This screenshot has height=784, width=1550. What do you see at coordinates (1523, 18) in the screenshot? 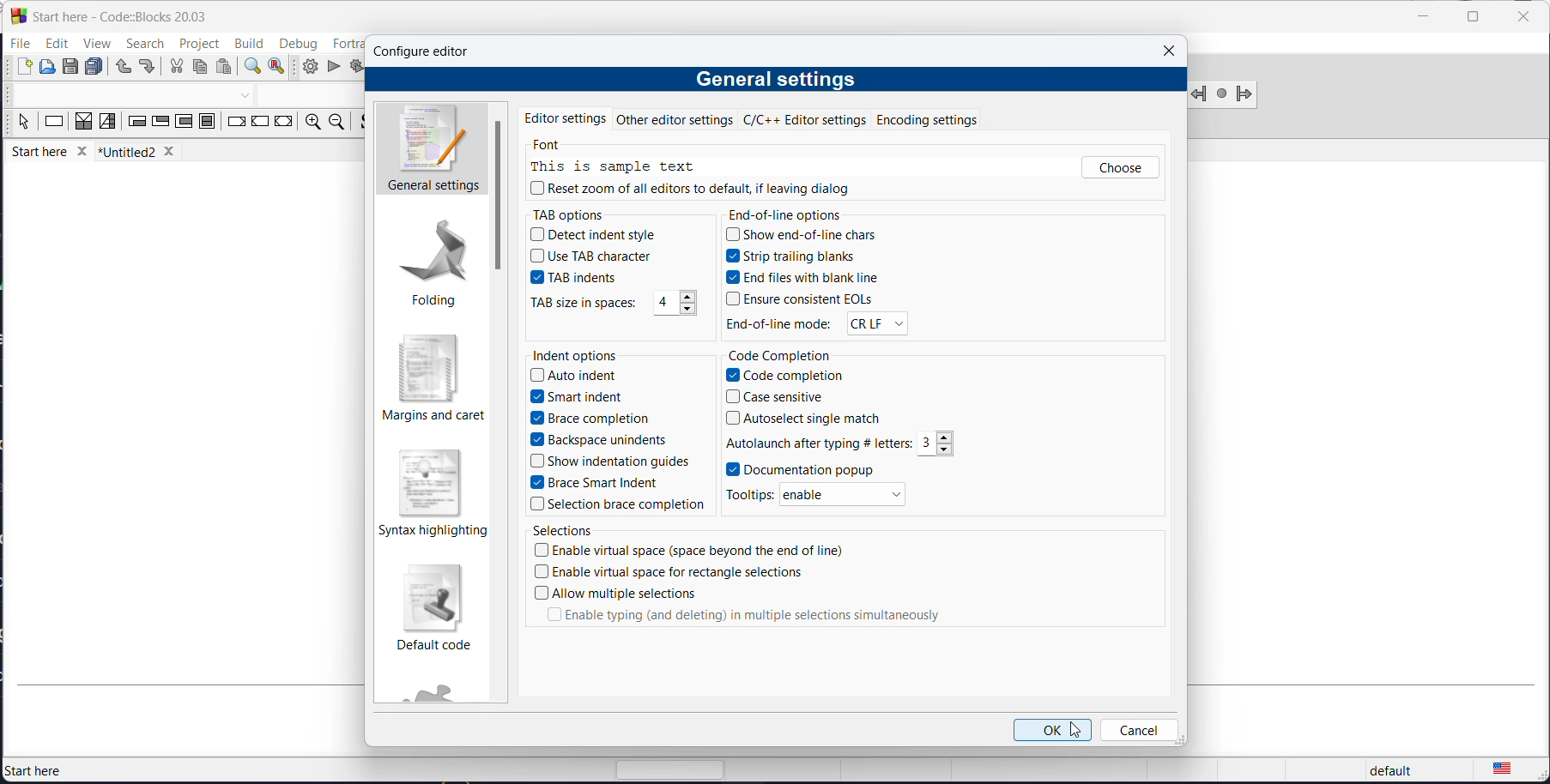
I see `close` at bounding box center [1523, 18].